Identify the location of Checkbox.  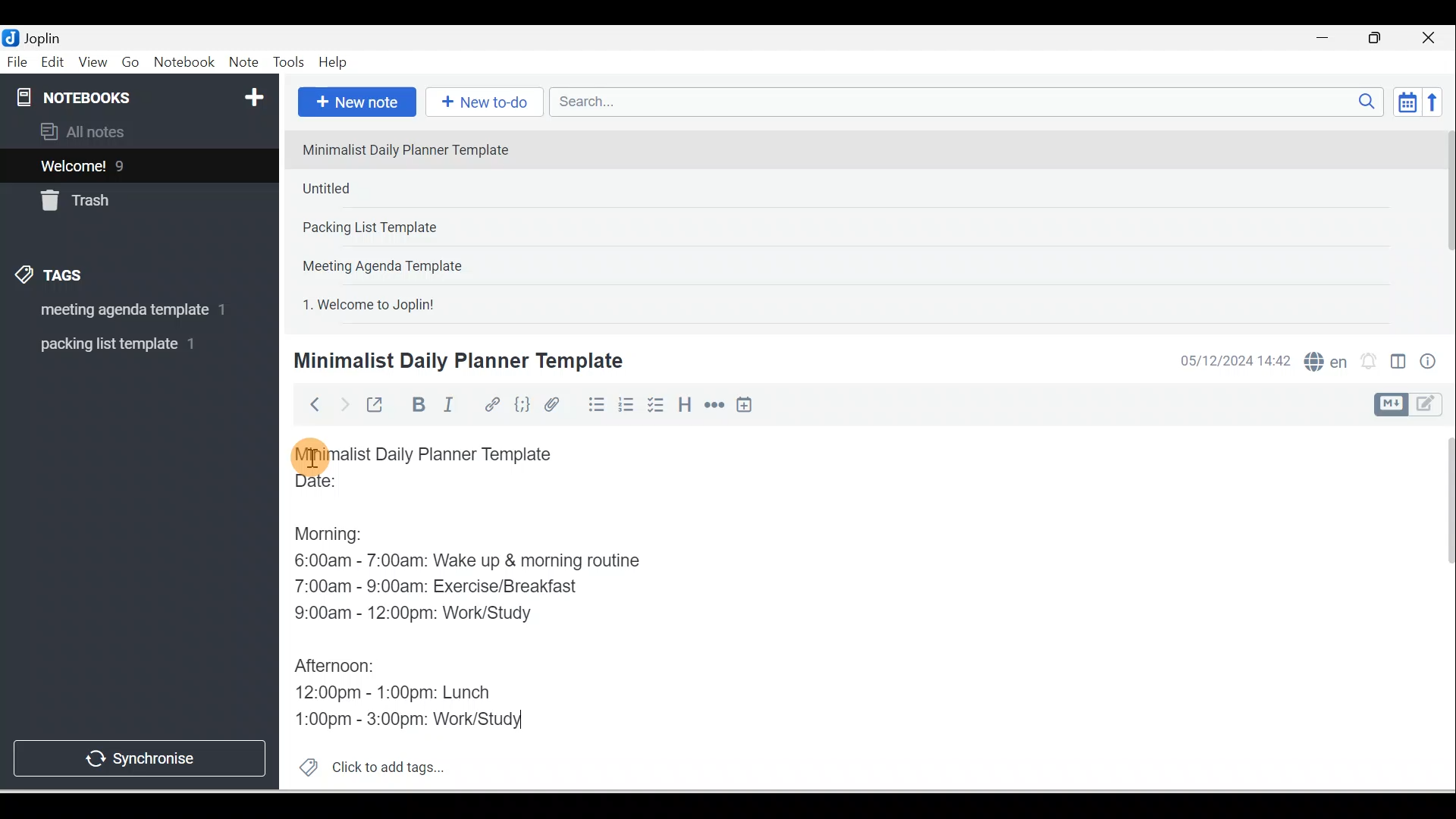
(654, 405).